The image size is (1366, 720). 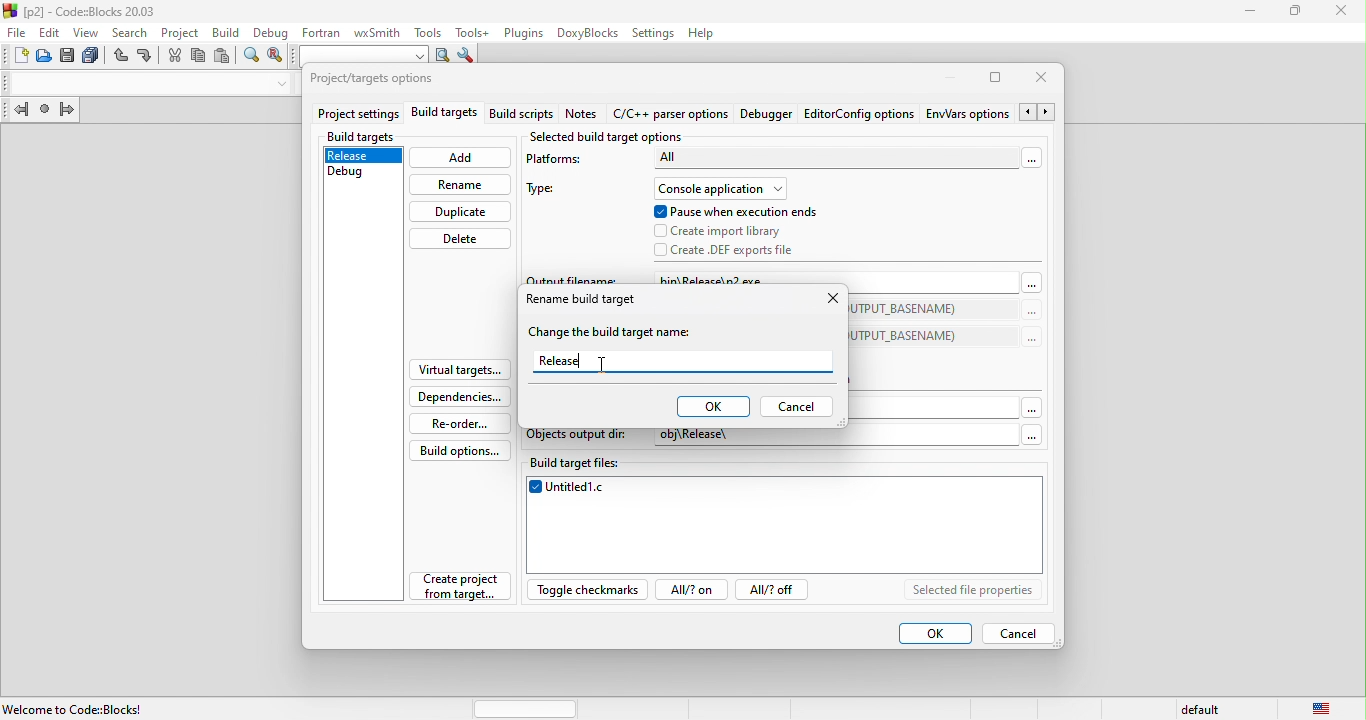 I want to click on create def exports file, so click(x=742, y=250).